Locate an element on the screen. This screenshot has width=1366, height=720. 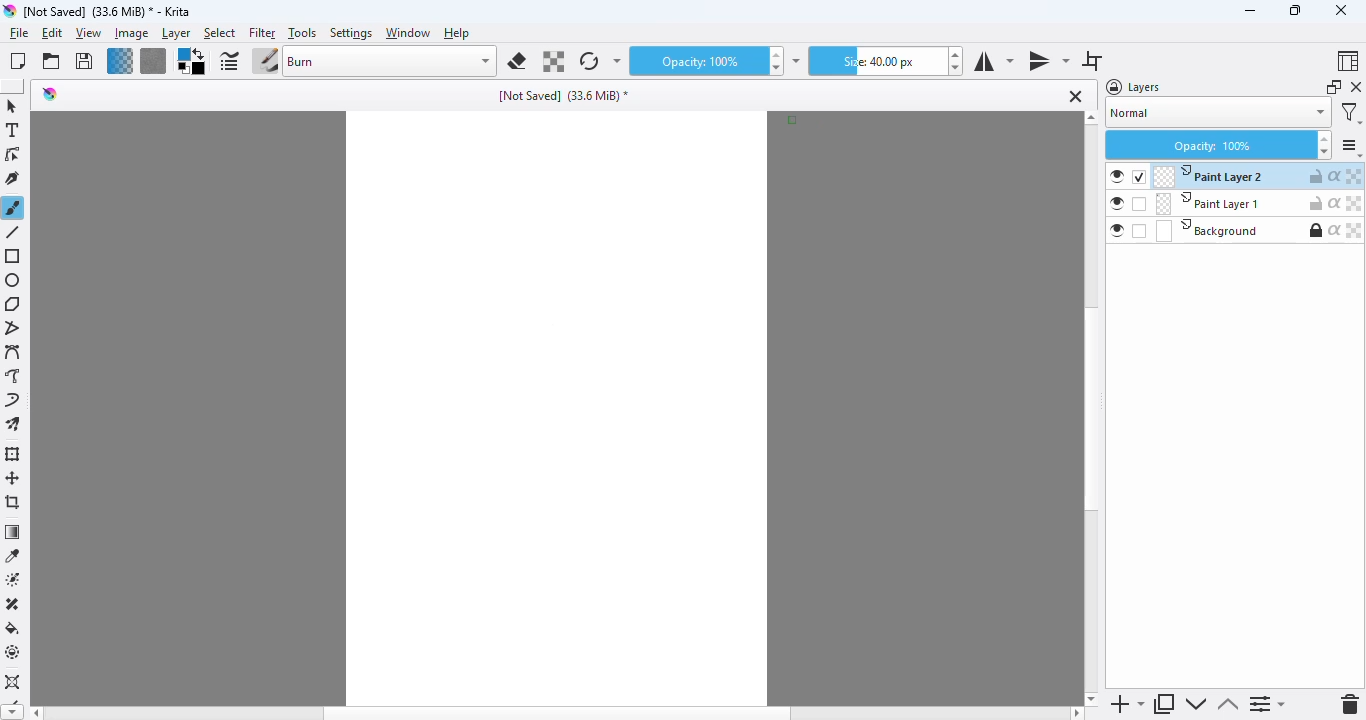
canvas is located at coordinates (556, 408).